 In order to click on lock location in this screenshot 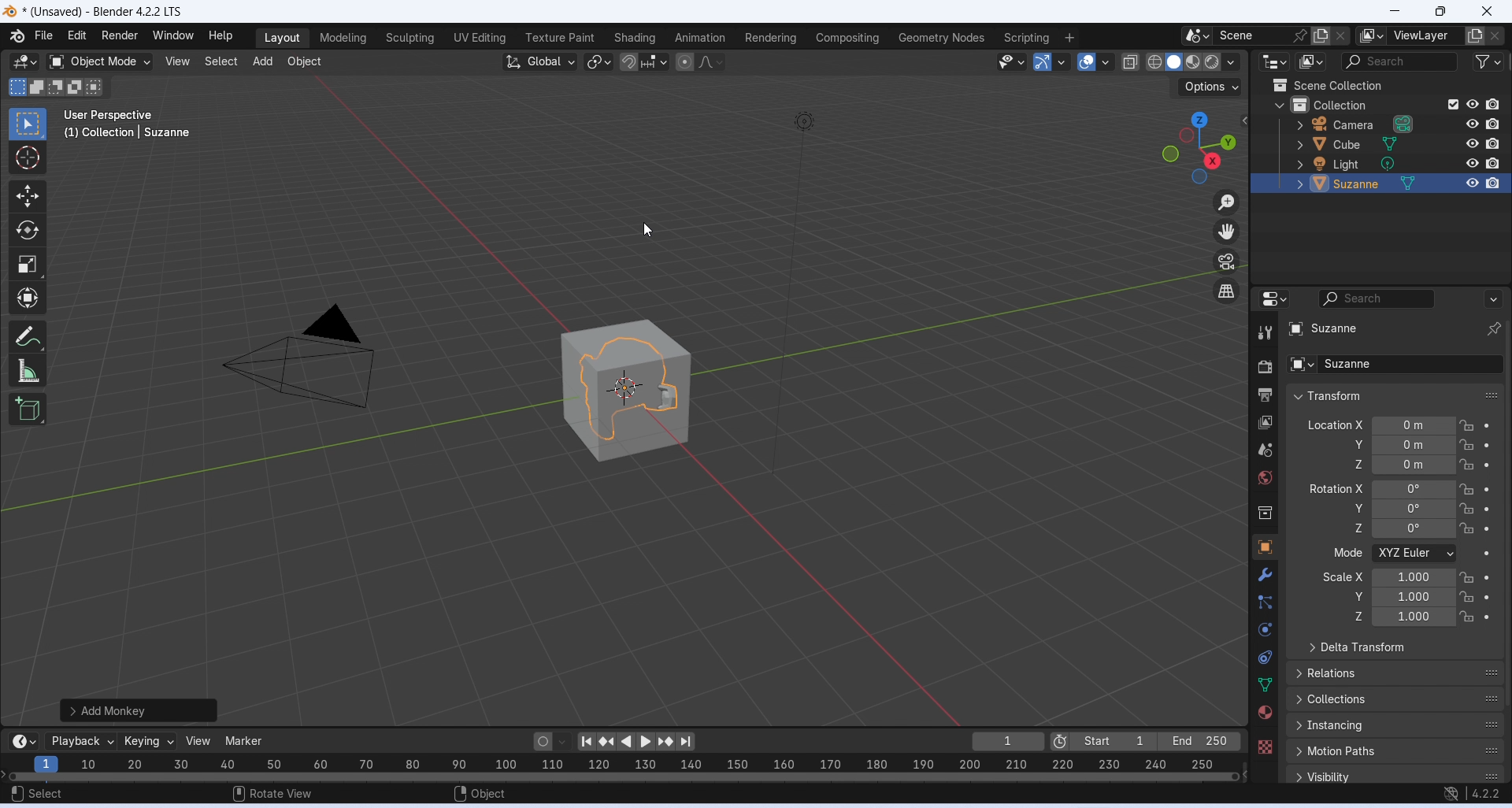, I will do `click(1467, 578)`.